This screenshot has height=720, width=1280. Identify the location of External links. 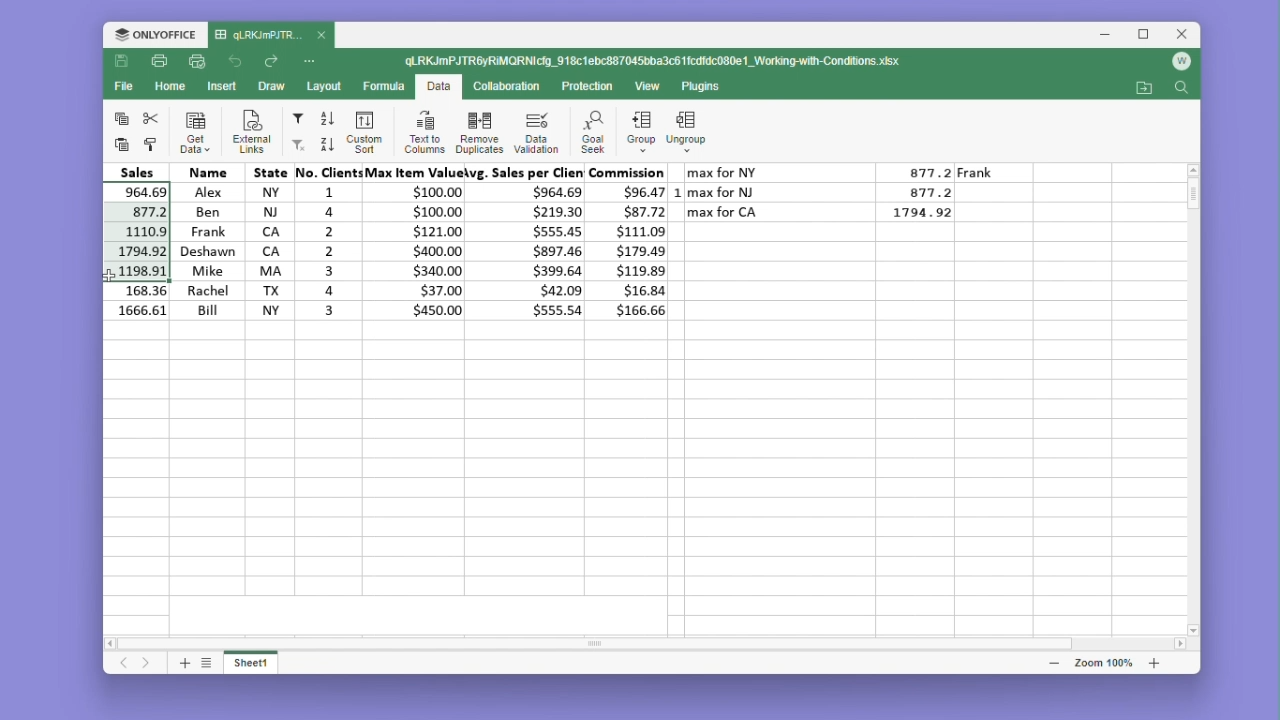
(248, 132).